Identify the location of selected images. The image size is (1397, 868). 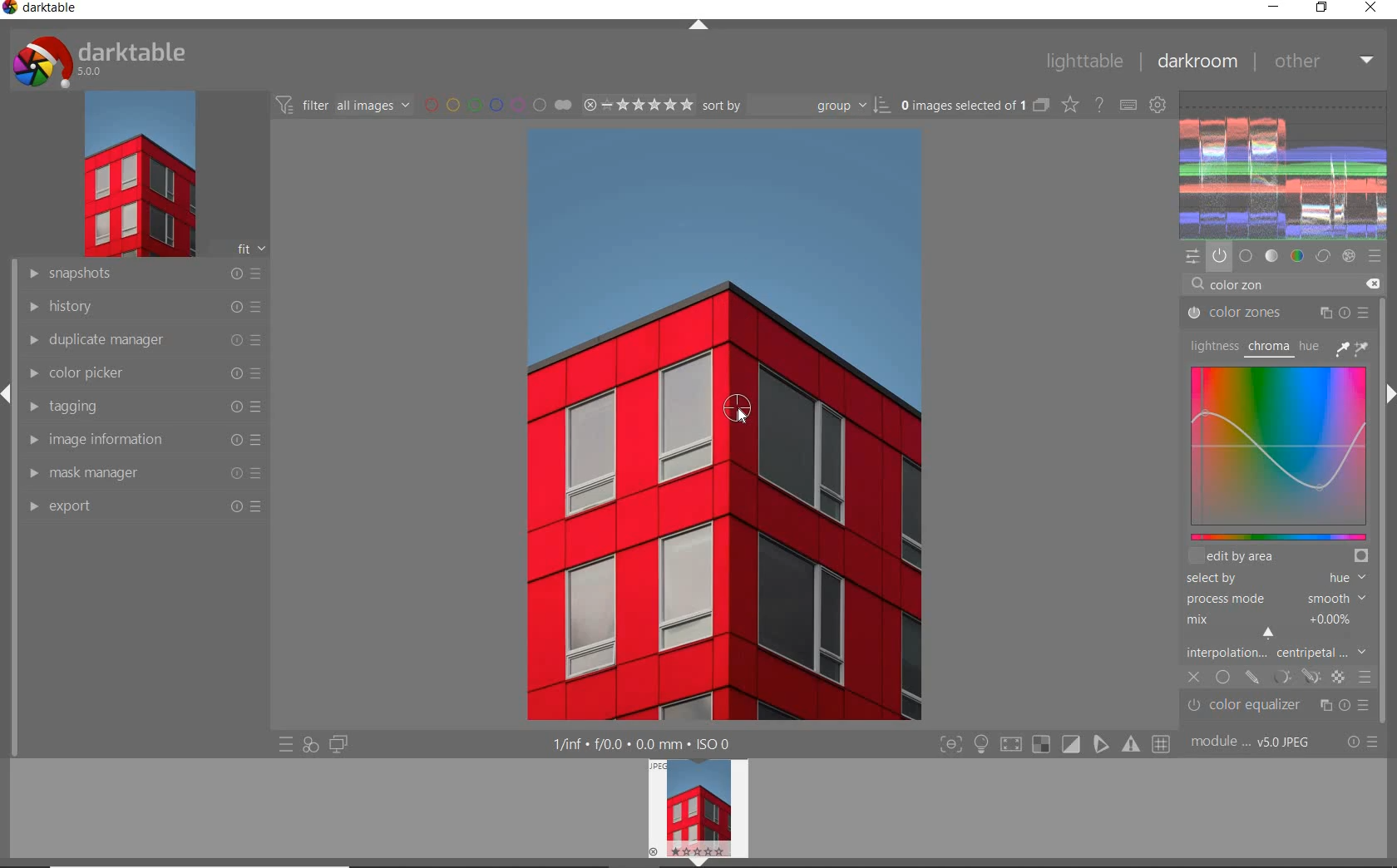
(974, 106).